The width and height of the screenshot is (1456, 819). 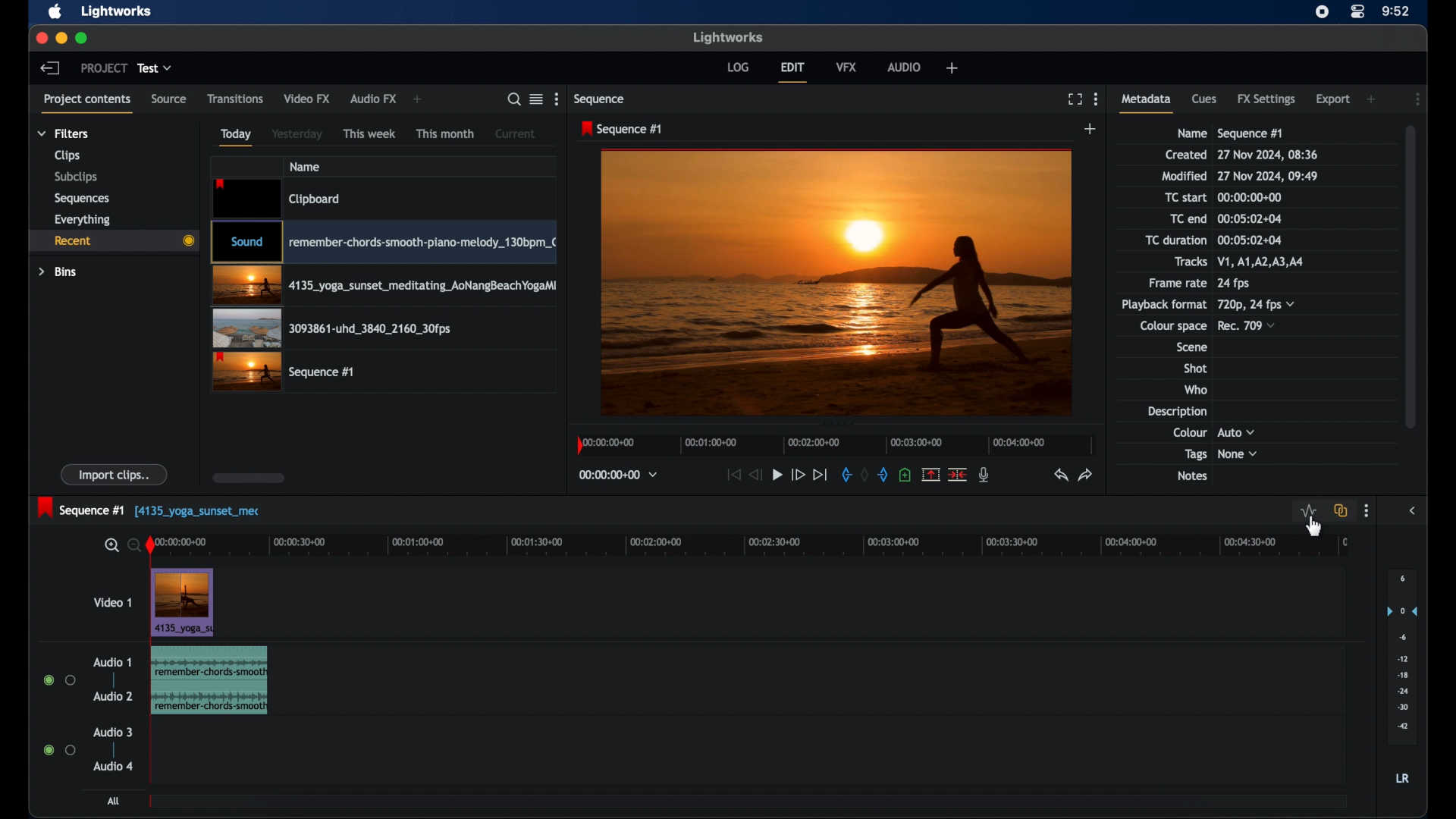 What do you see at coordinates (1175, 284) in the screenshot?
I see `frame rate` at bounding box center [1175, 284].